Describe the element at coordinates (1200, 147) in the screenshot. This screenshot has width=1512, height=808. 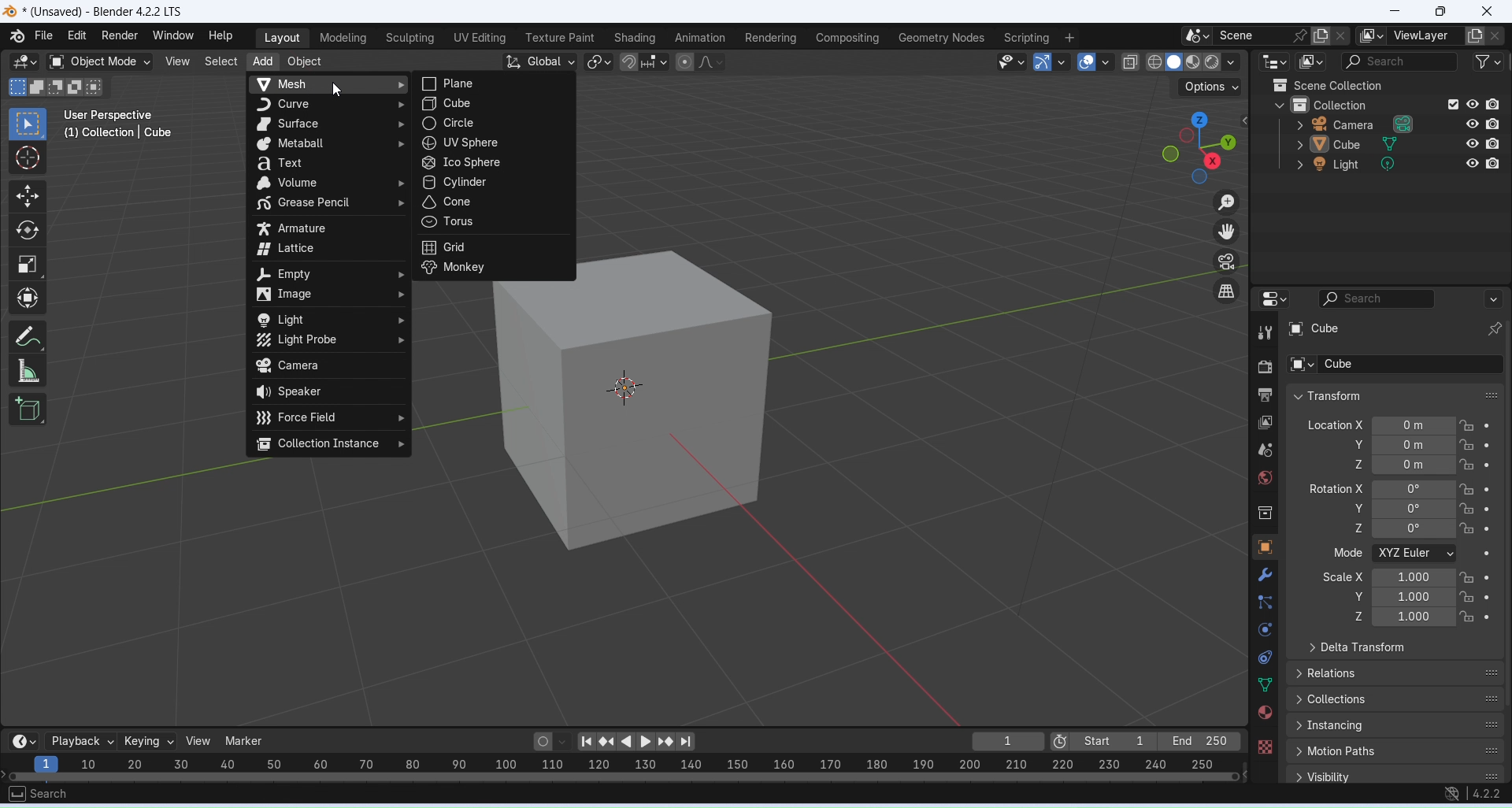
I see `Click` at that location.